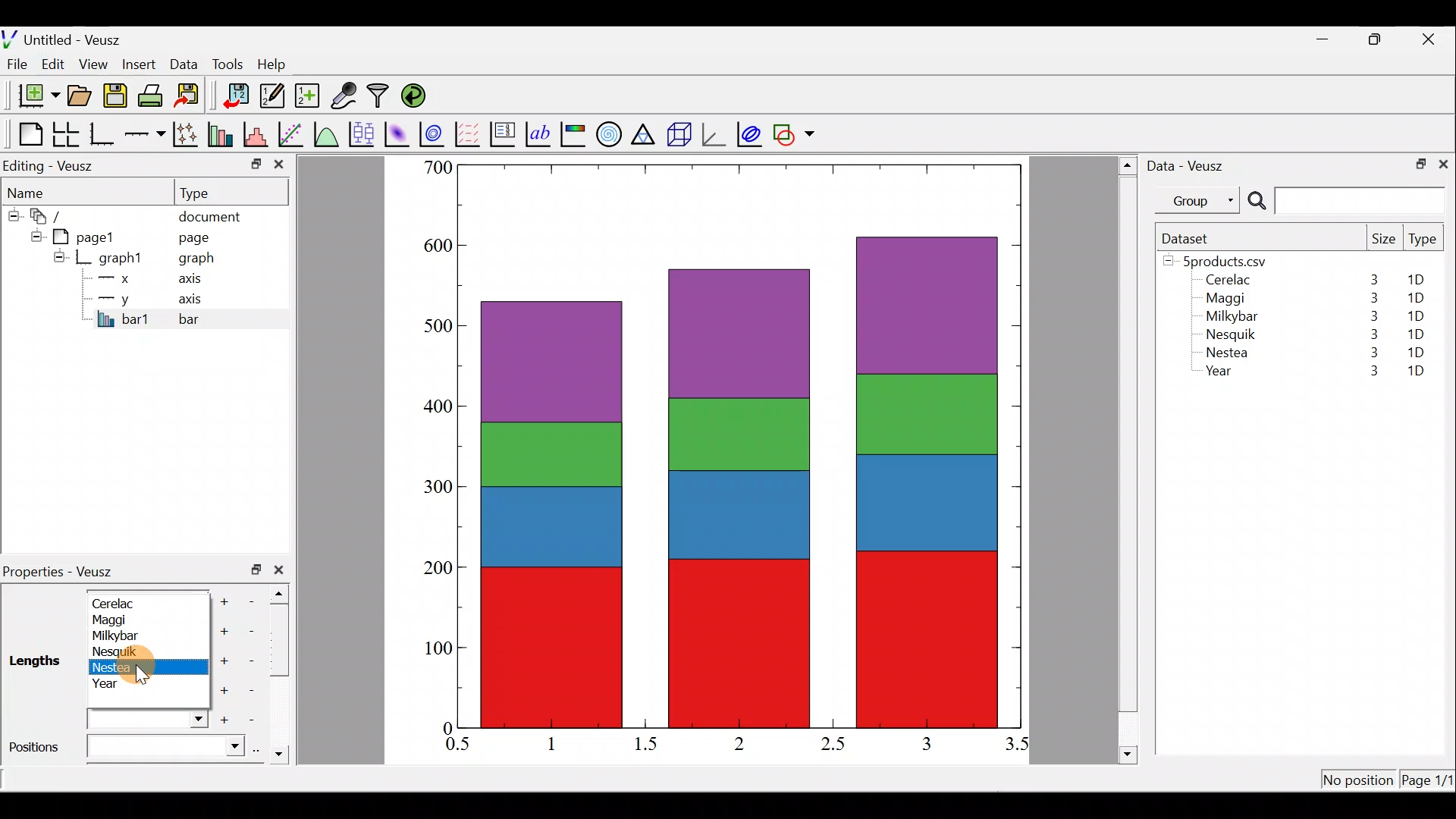 This screenshot has width=1456, height=819. I want to click on 3, so click(1371, 316).